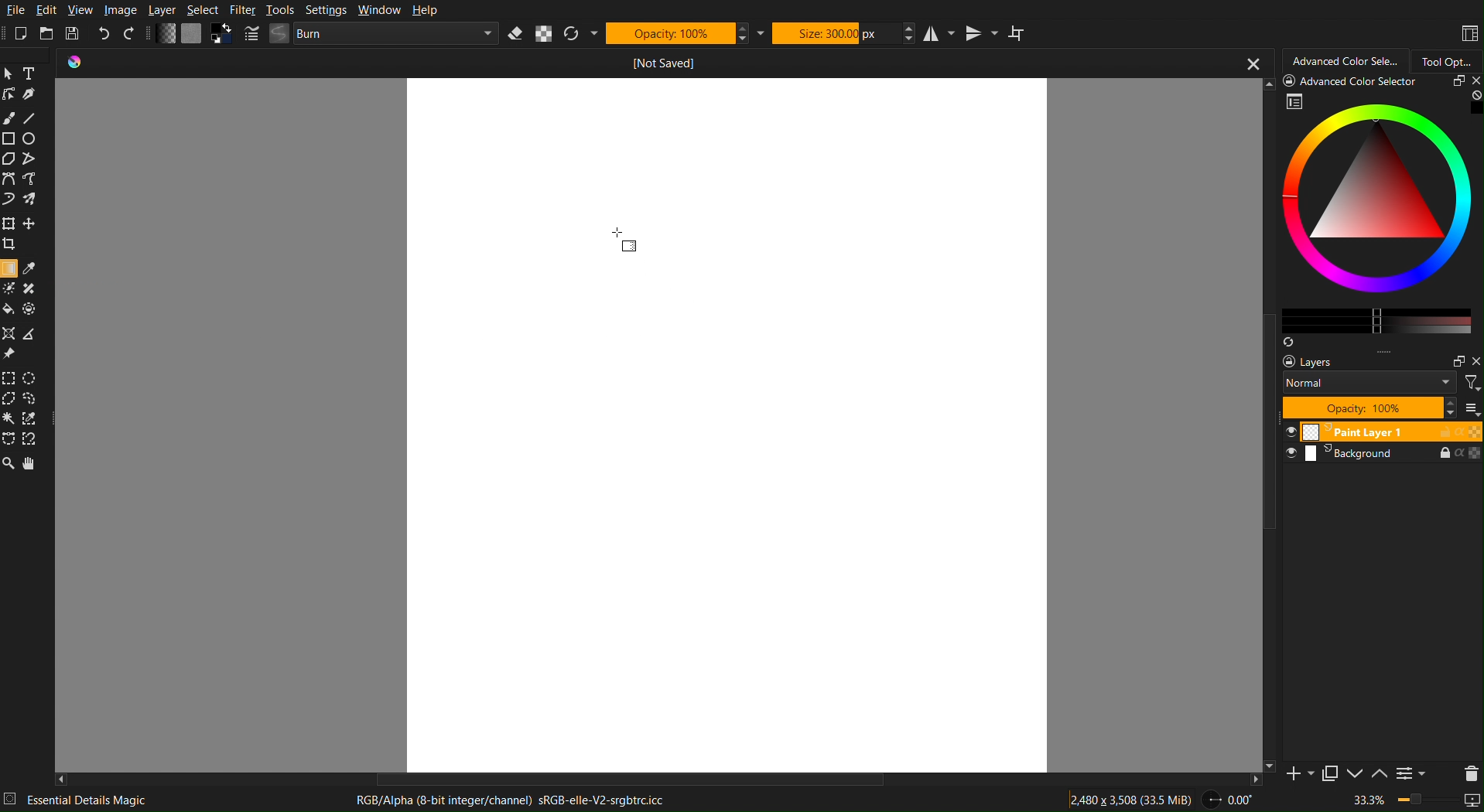  What do you see at coordinates (323, 10) in the screenshot?
I see `Settings` at bounding box center [323, 10].